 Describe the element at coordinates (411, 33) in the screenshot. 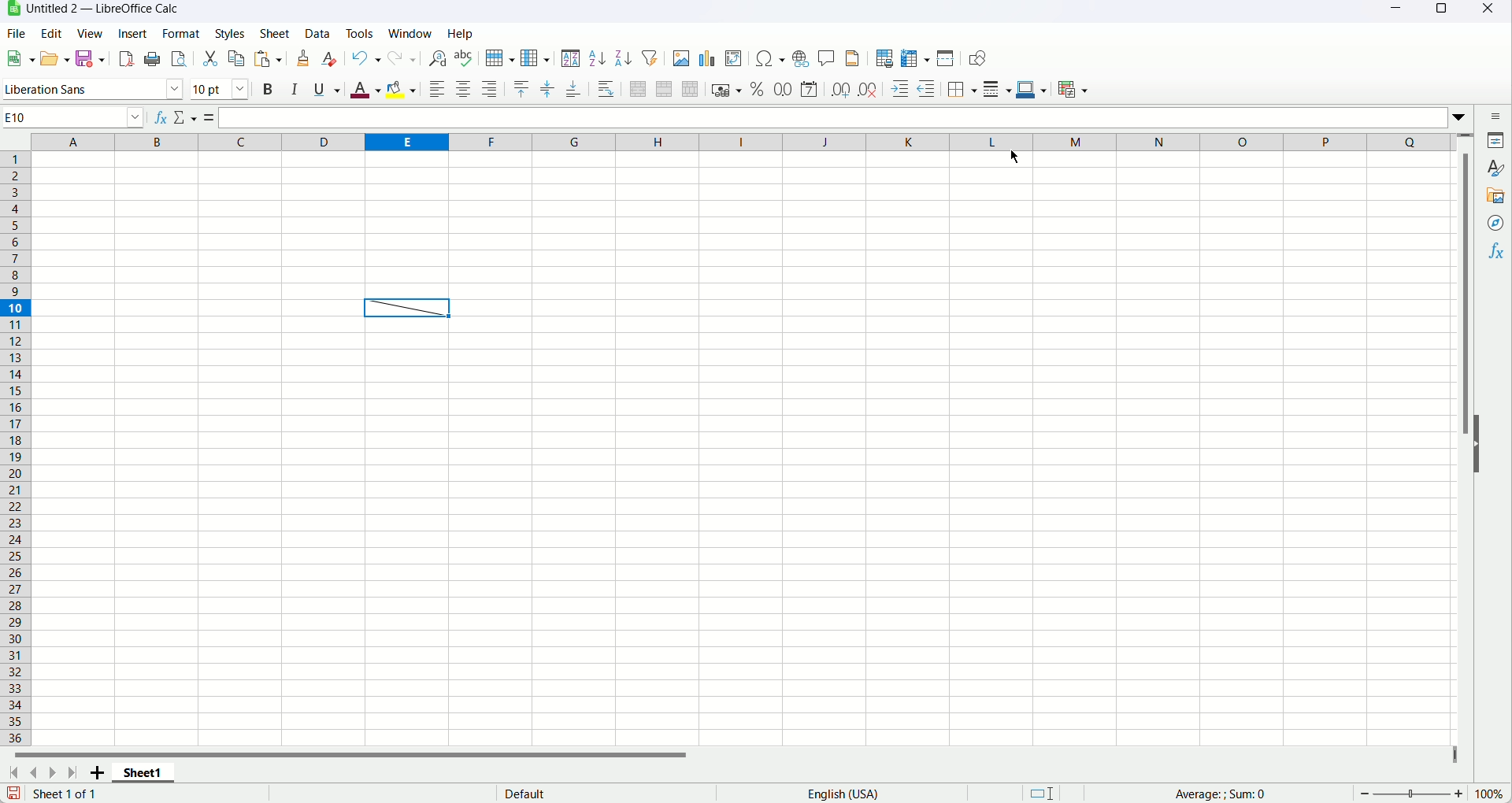

I see `Window` at that location.